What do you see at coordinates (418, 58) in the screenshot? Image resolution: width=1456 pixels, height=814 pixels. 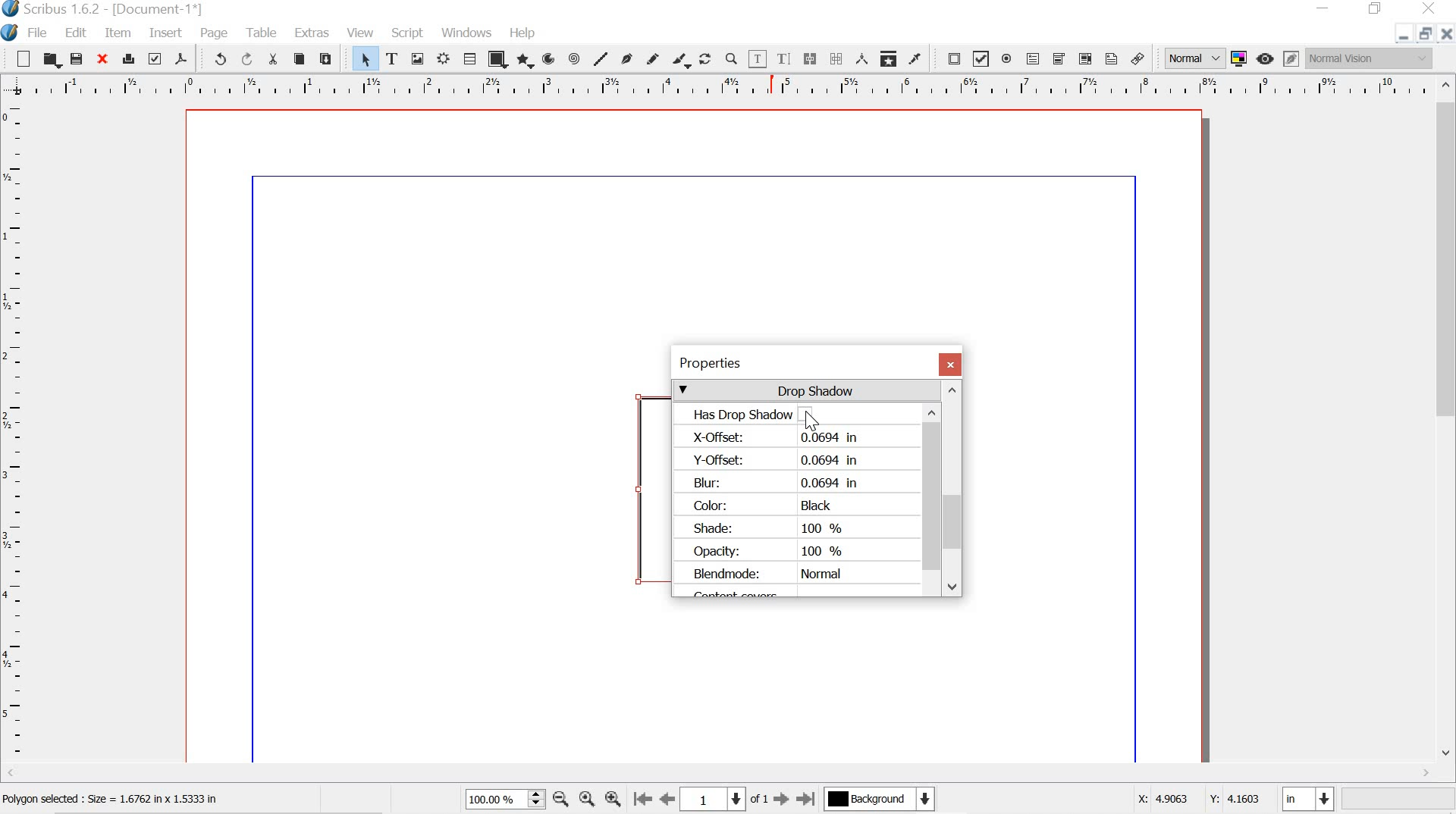 I see `image frame` at bounding box center [418, 58].